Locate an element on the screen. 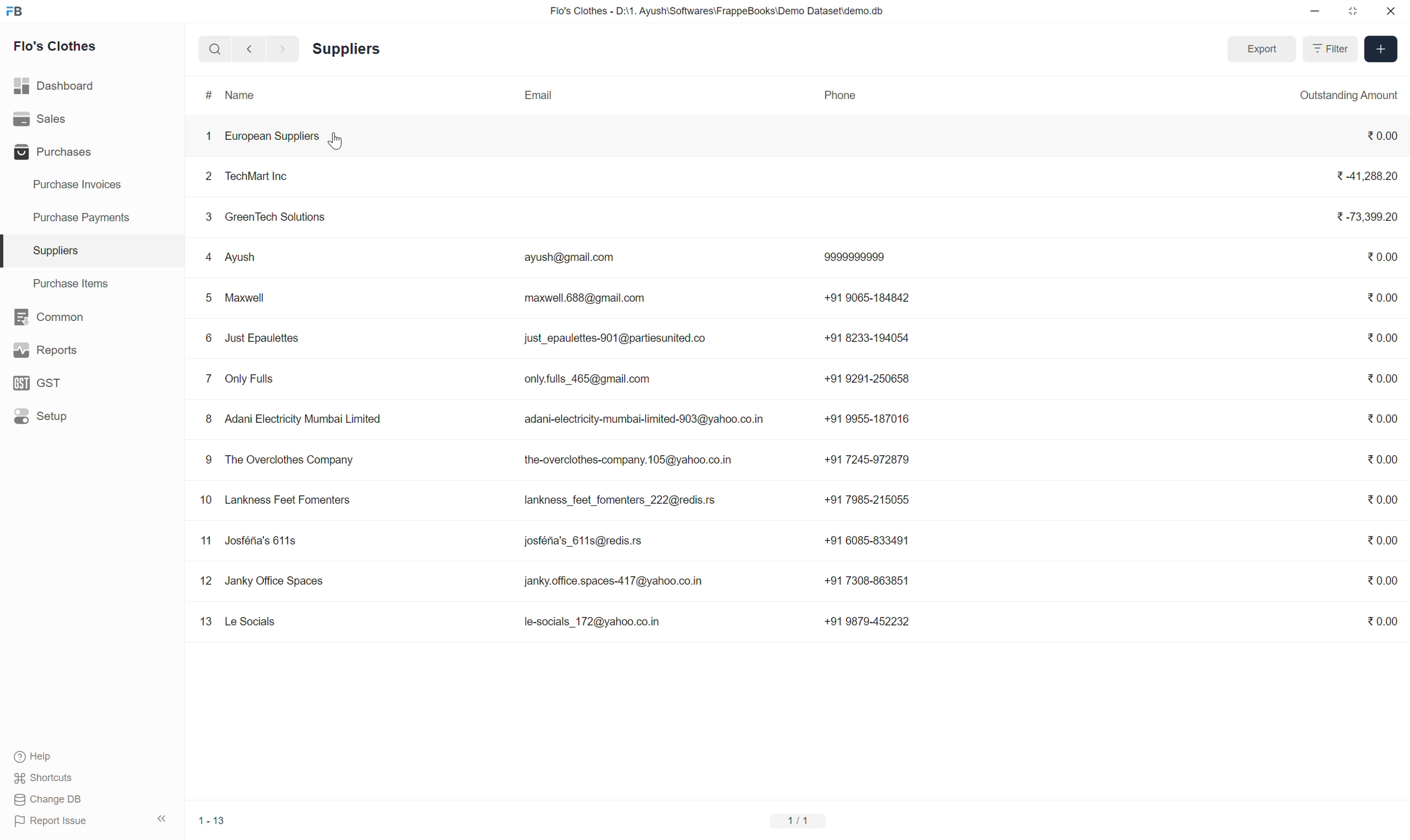  0.00 is located at coordinates (1378, 298).